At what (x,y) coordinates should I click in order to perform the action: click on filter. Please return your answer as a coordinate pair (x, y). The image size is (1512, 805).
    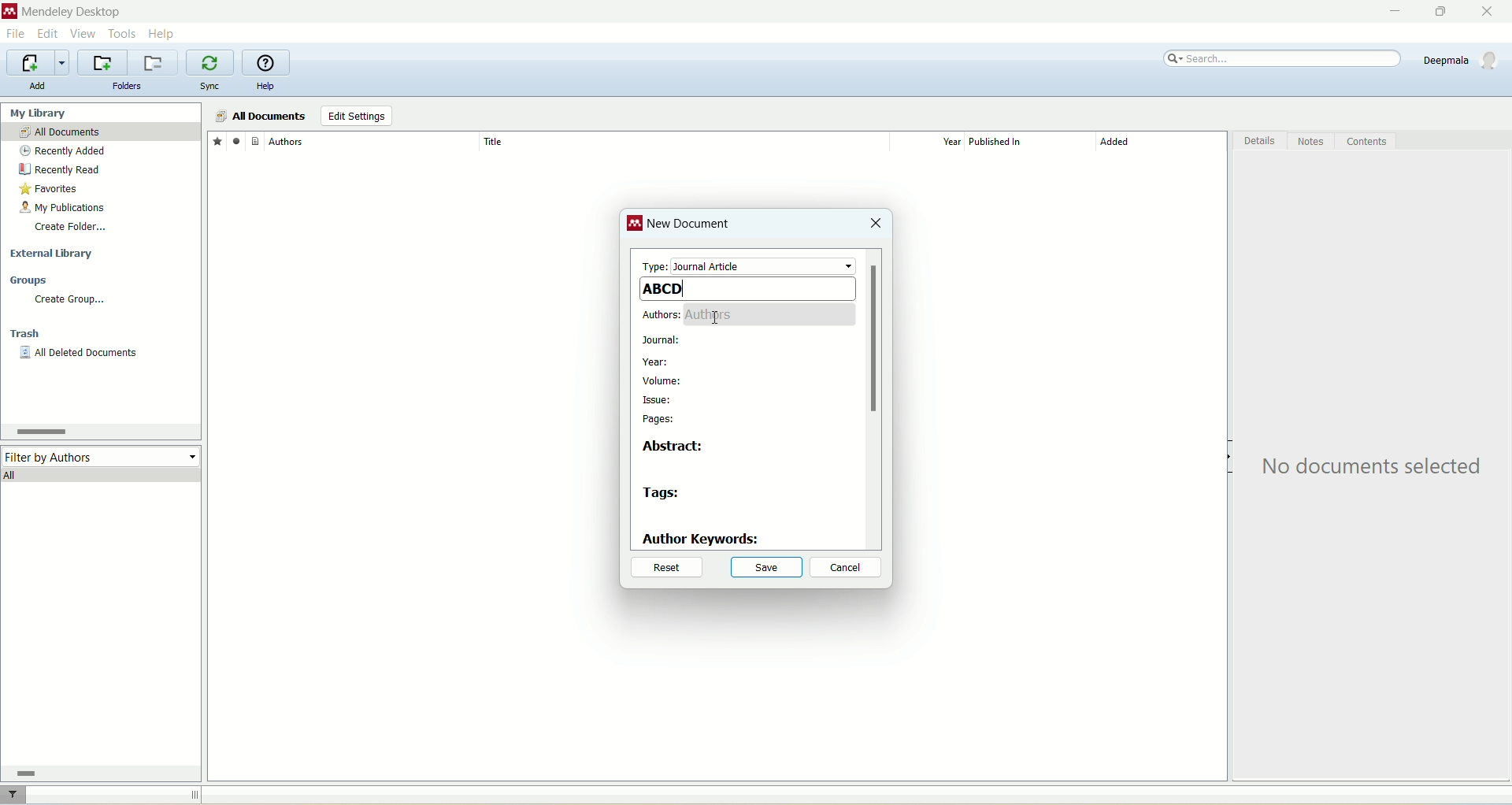
    Looking at the image, I should click on (15, 795).